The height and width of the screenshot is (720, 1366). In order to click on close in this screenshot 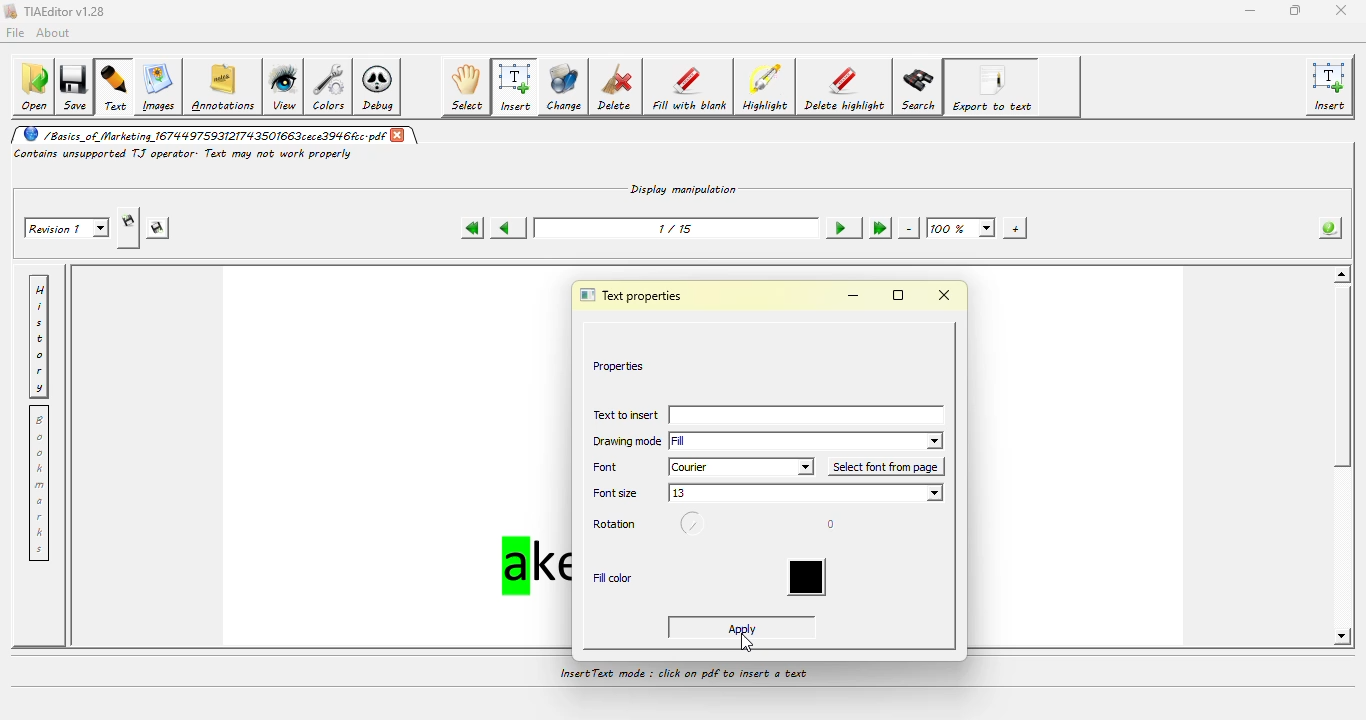, I will do `click(1340, 10)`.